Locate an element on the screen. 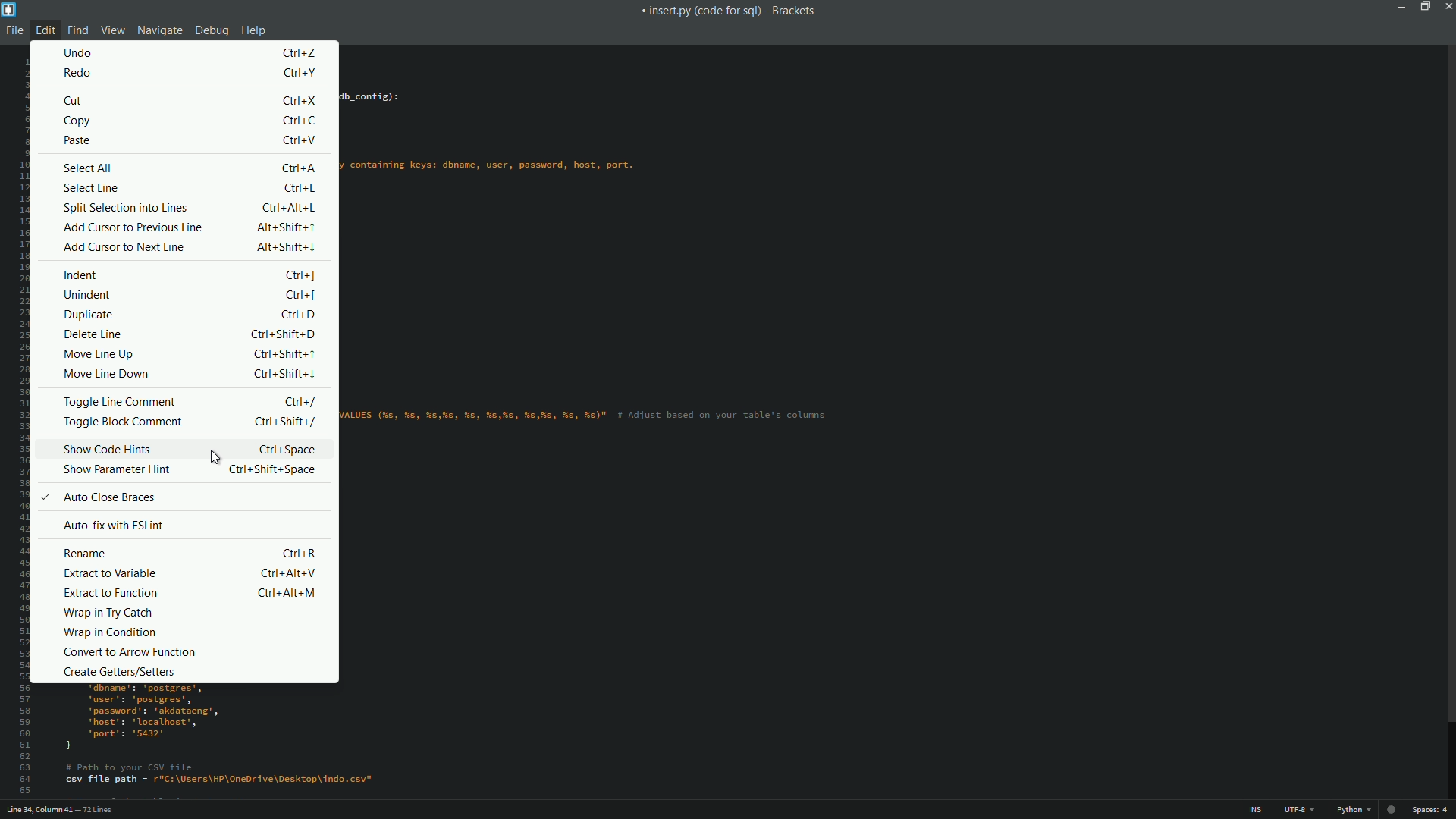 The image size is (1456, 819). wrap in try catch is located at coordinates (110, 614).